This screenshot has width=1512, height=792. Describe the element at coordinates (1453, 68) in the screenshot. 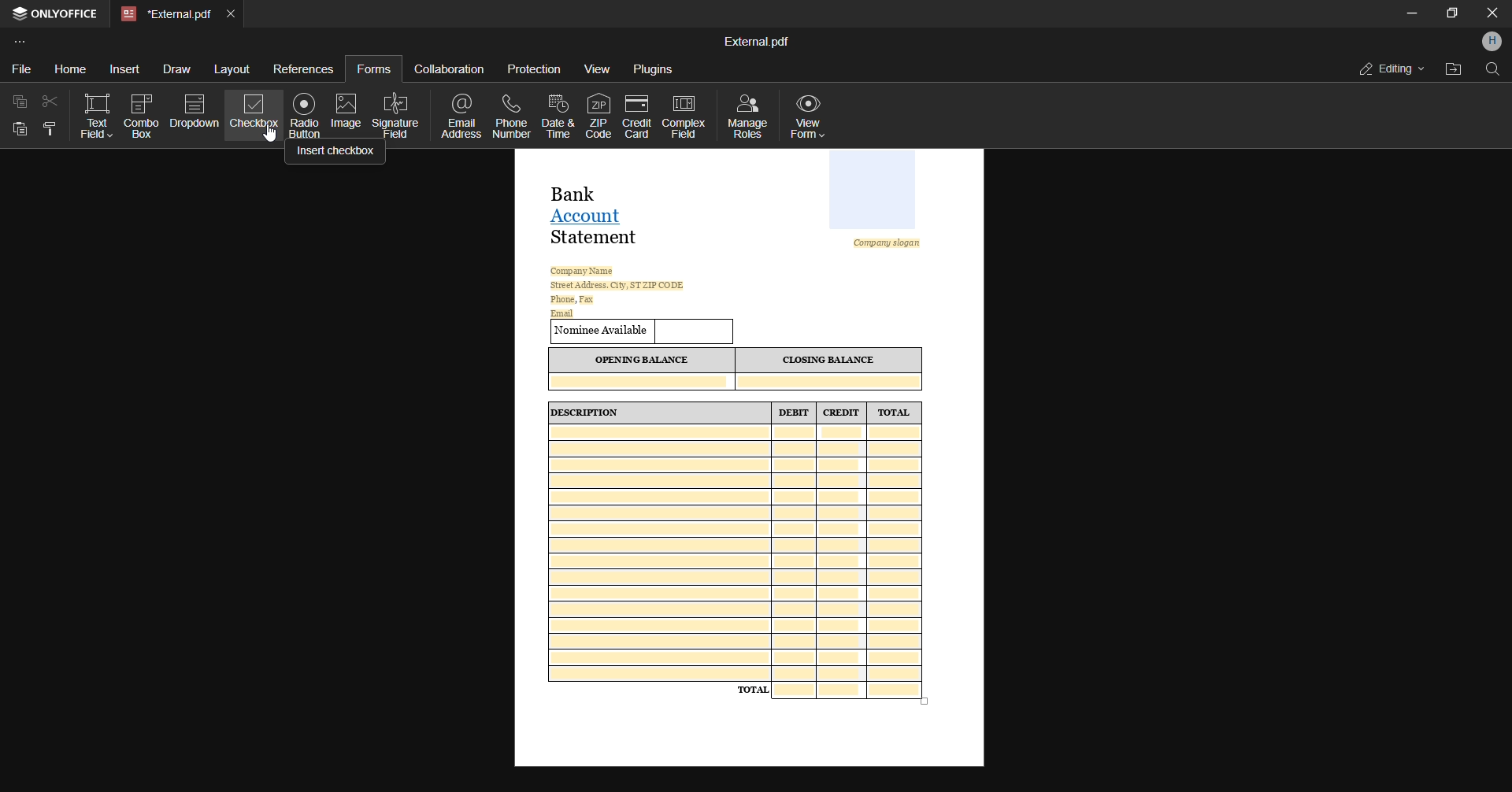

I see `open file location` at that location.